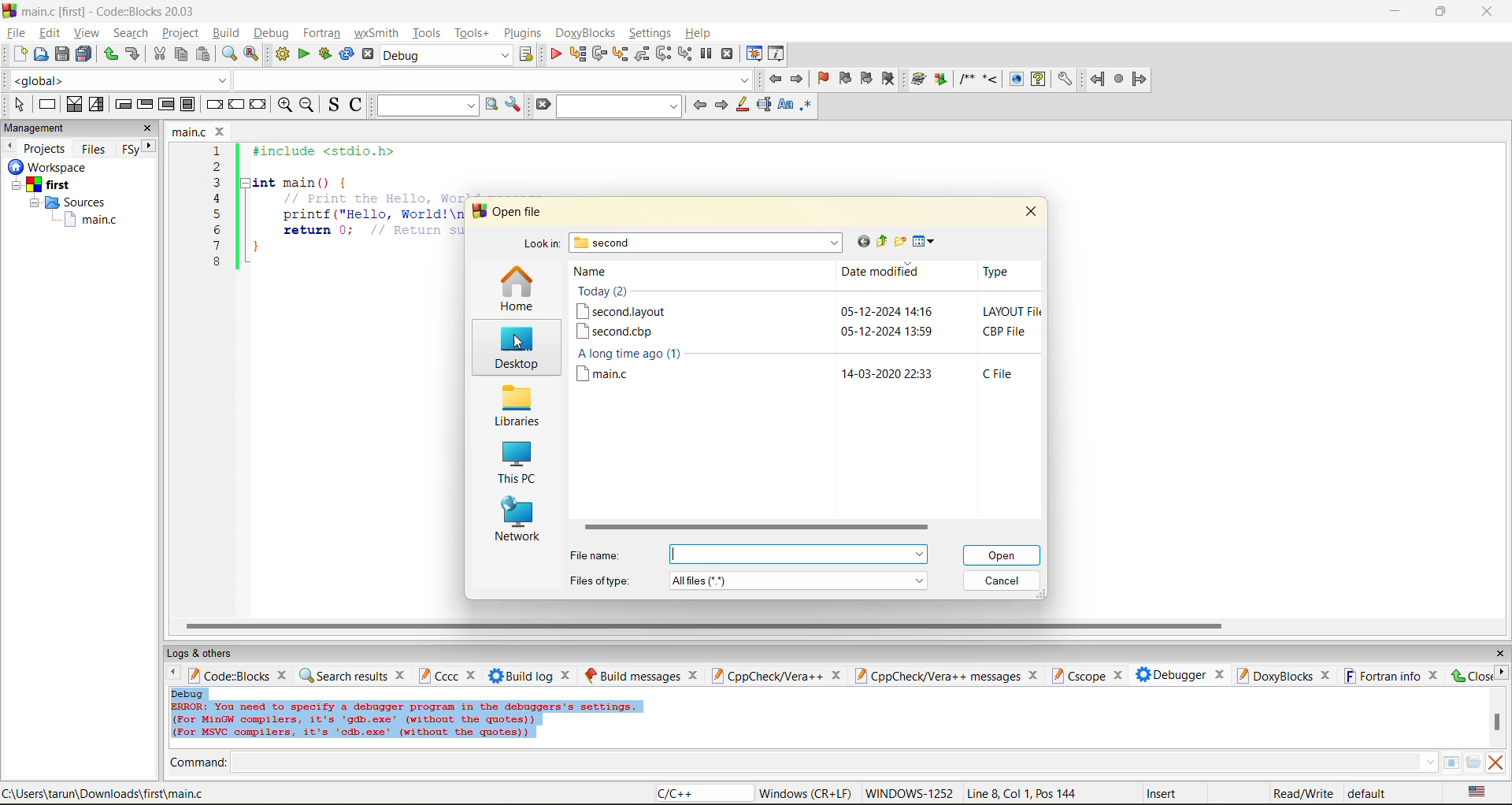  I want to click on code:blocks, so click(228, 675).